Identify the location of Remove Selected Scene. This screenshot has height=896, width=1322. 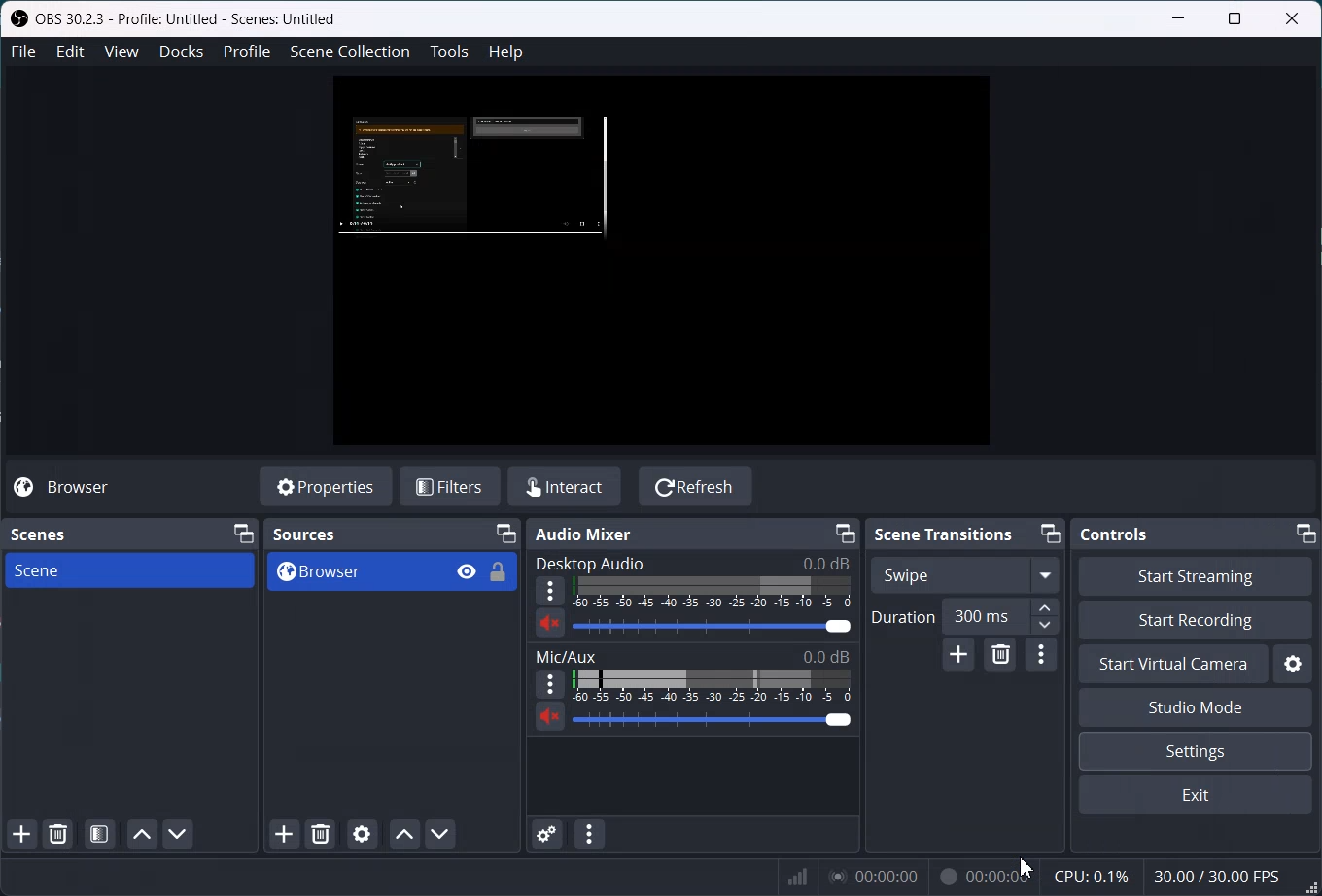
(58, 835).